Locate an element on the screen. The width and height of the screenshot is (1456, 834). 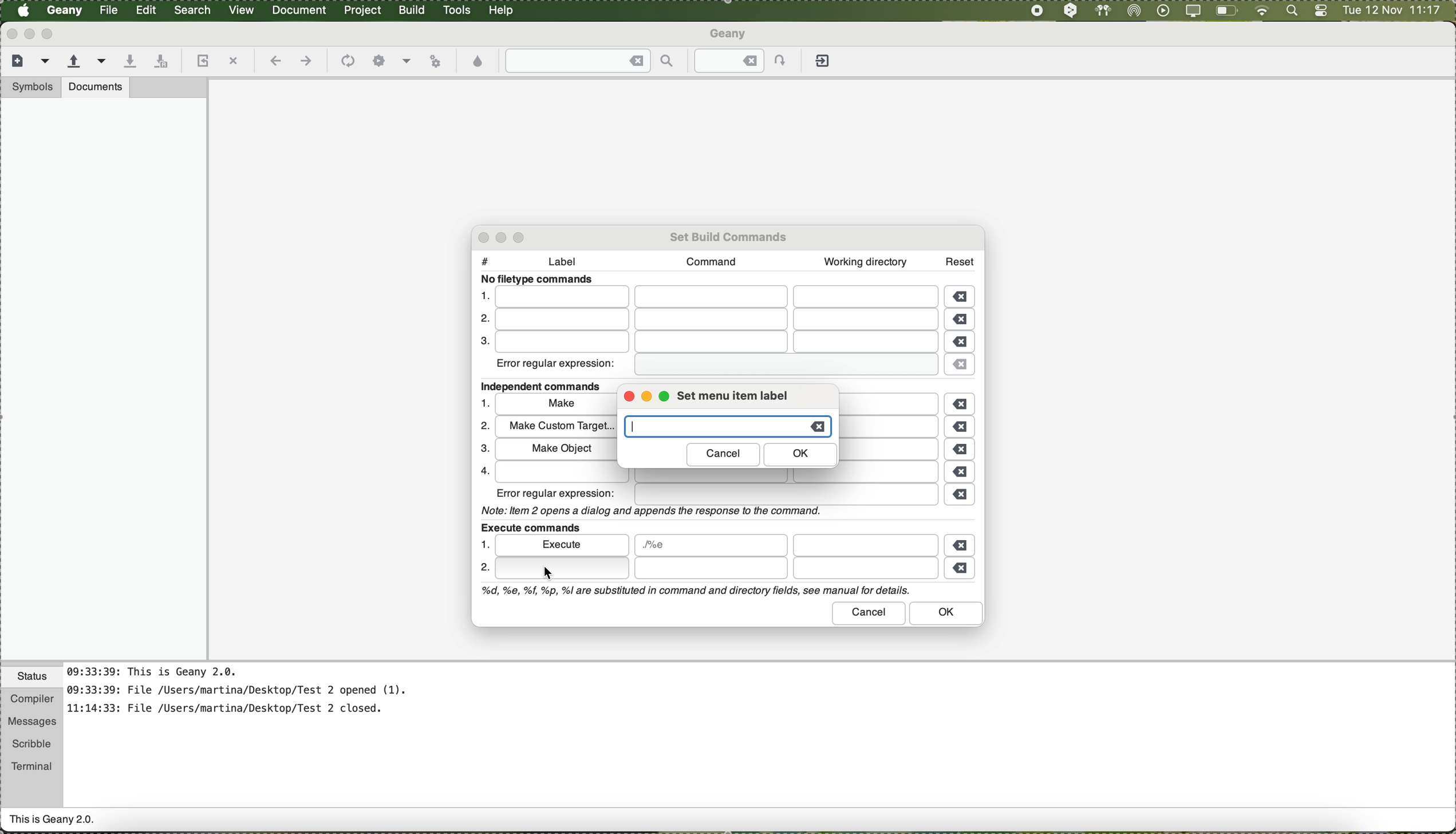
remove buttons is located at coordinates (962, 433).